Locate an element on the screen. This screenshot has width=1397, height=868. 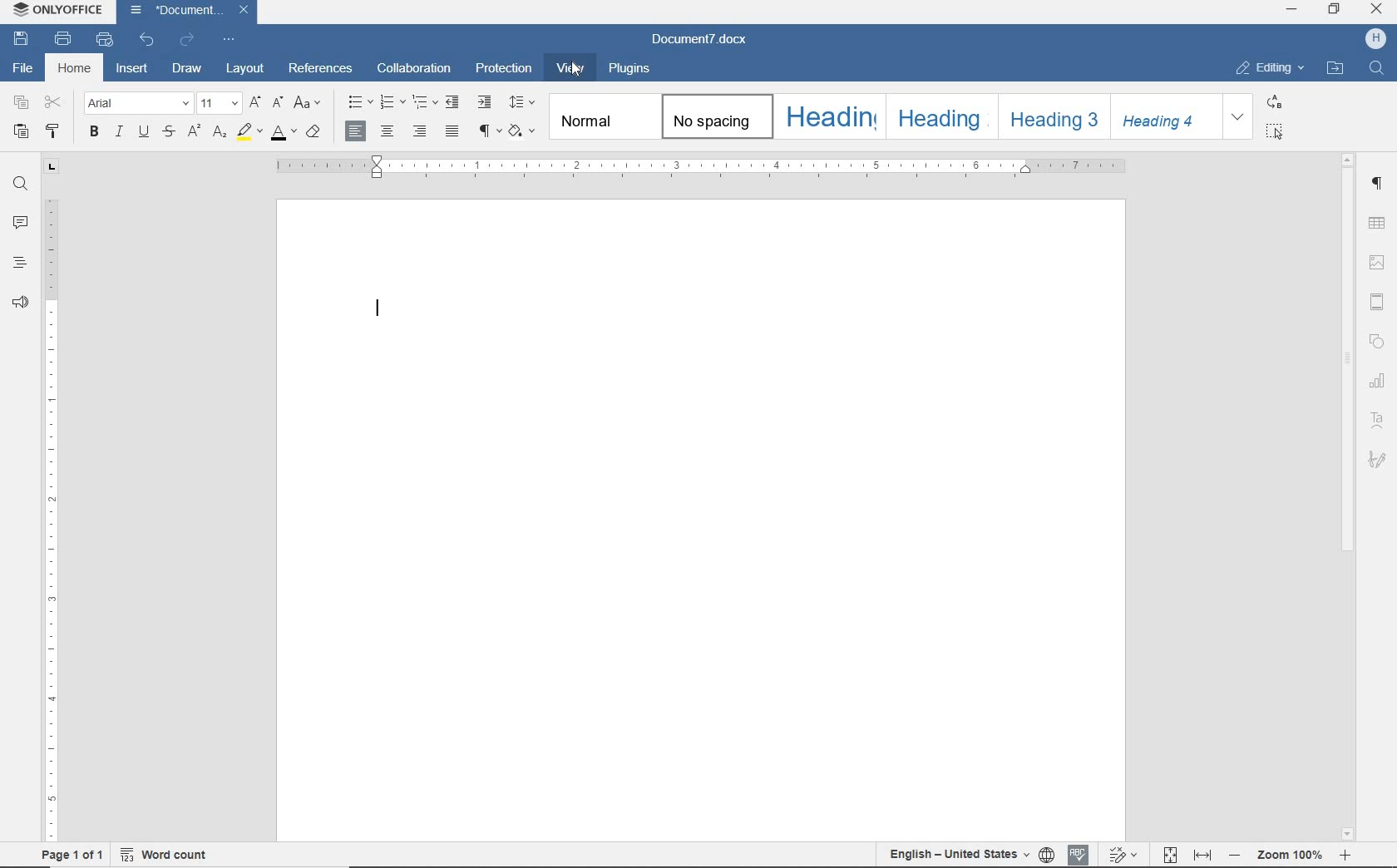
FIT TO WIDTH is located at coordinates (1203, 853).